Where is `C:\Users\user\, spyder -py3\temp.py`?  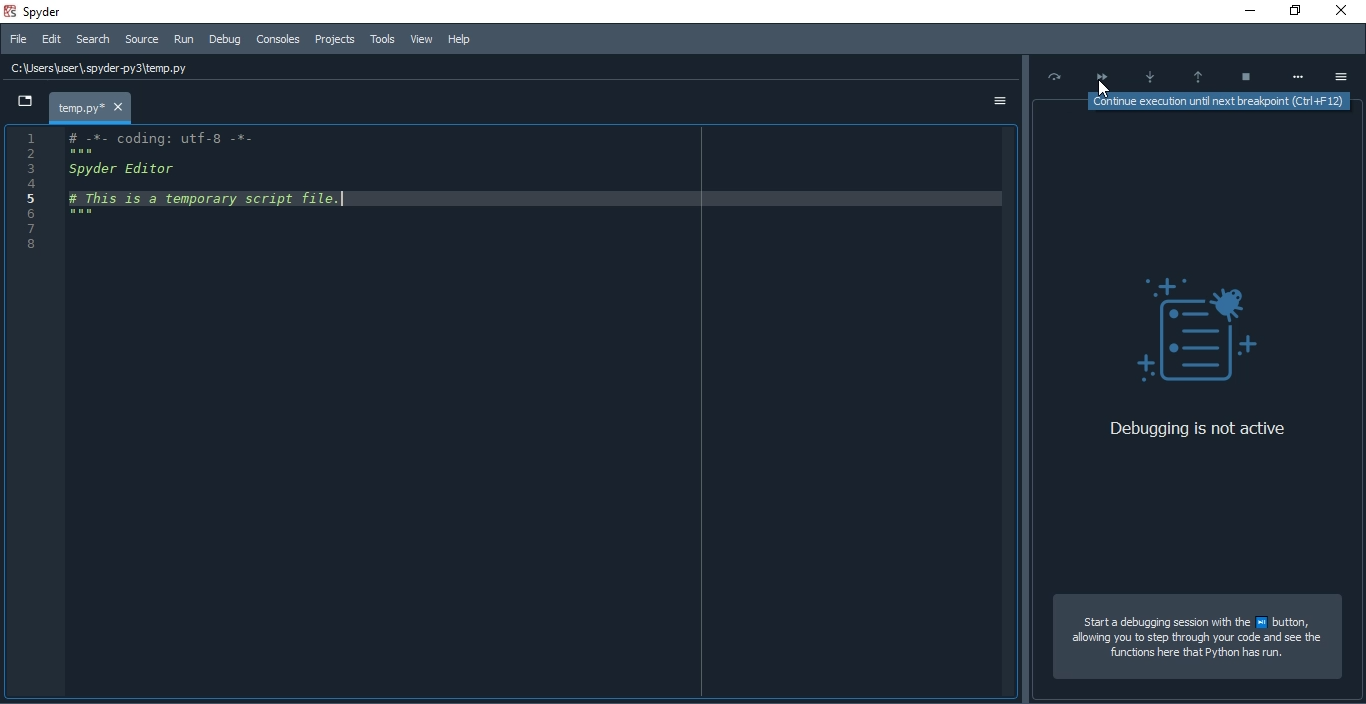
C:\Users\user\, spyder -py3\temp.py is located at coordinates (105, 69).